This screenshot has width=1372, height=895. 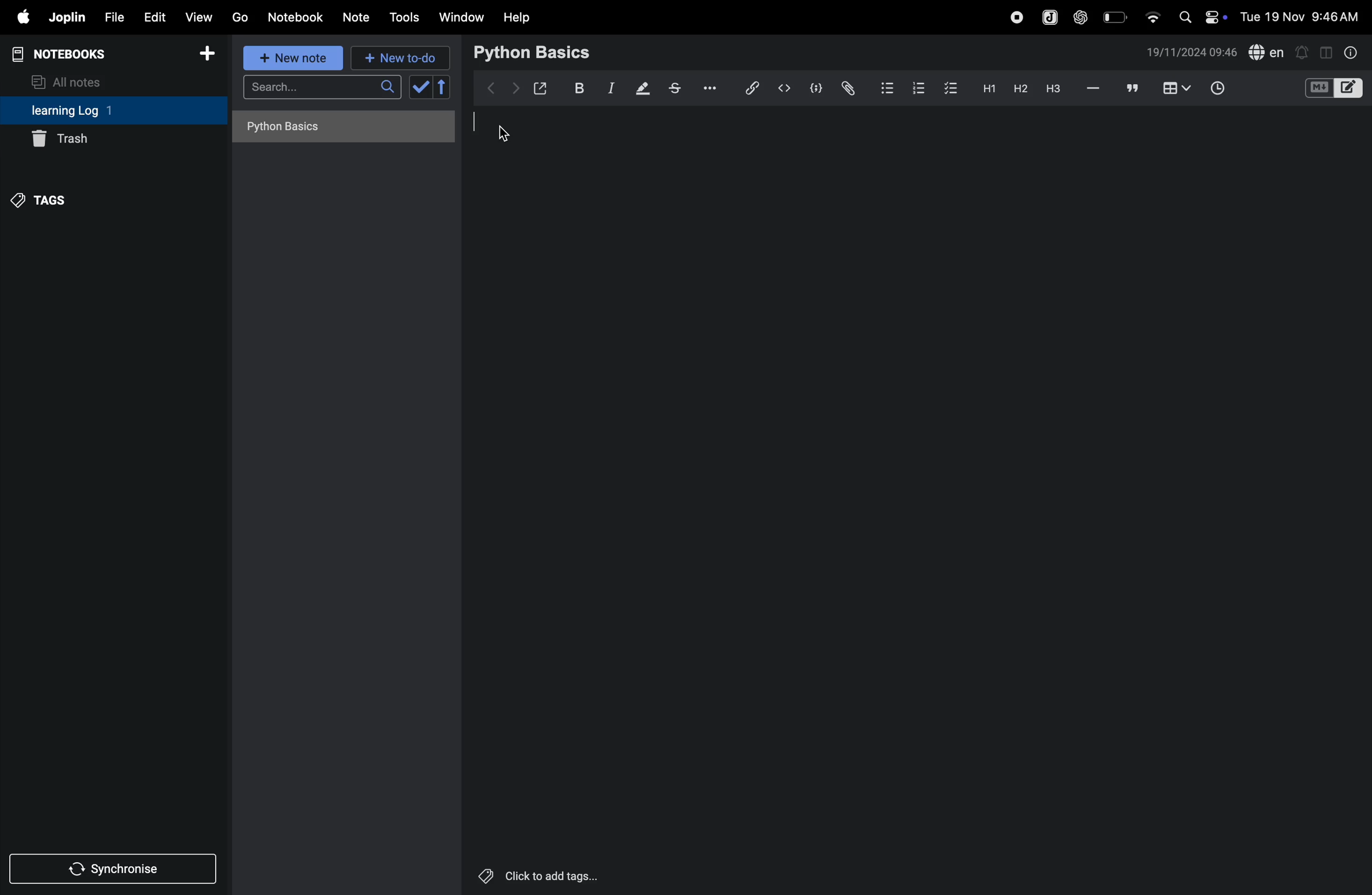 What do you see at coordinates (66, 17) in the screenshot?
I see `joplin` at bounding box center [66, 17].